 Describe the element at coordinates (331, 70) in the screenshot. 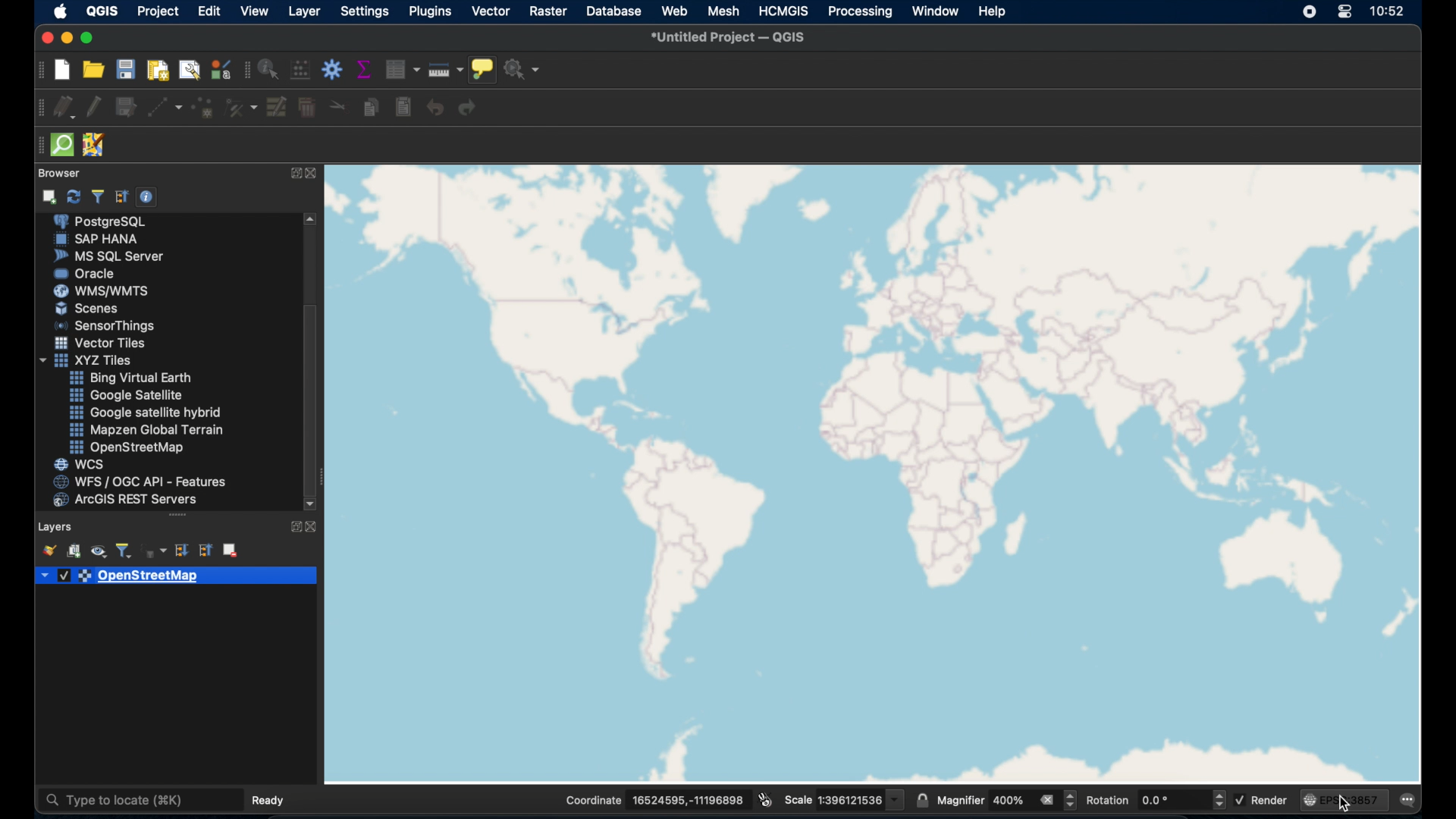

I see `toolbox` at that location.